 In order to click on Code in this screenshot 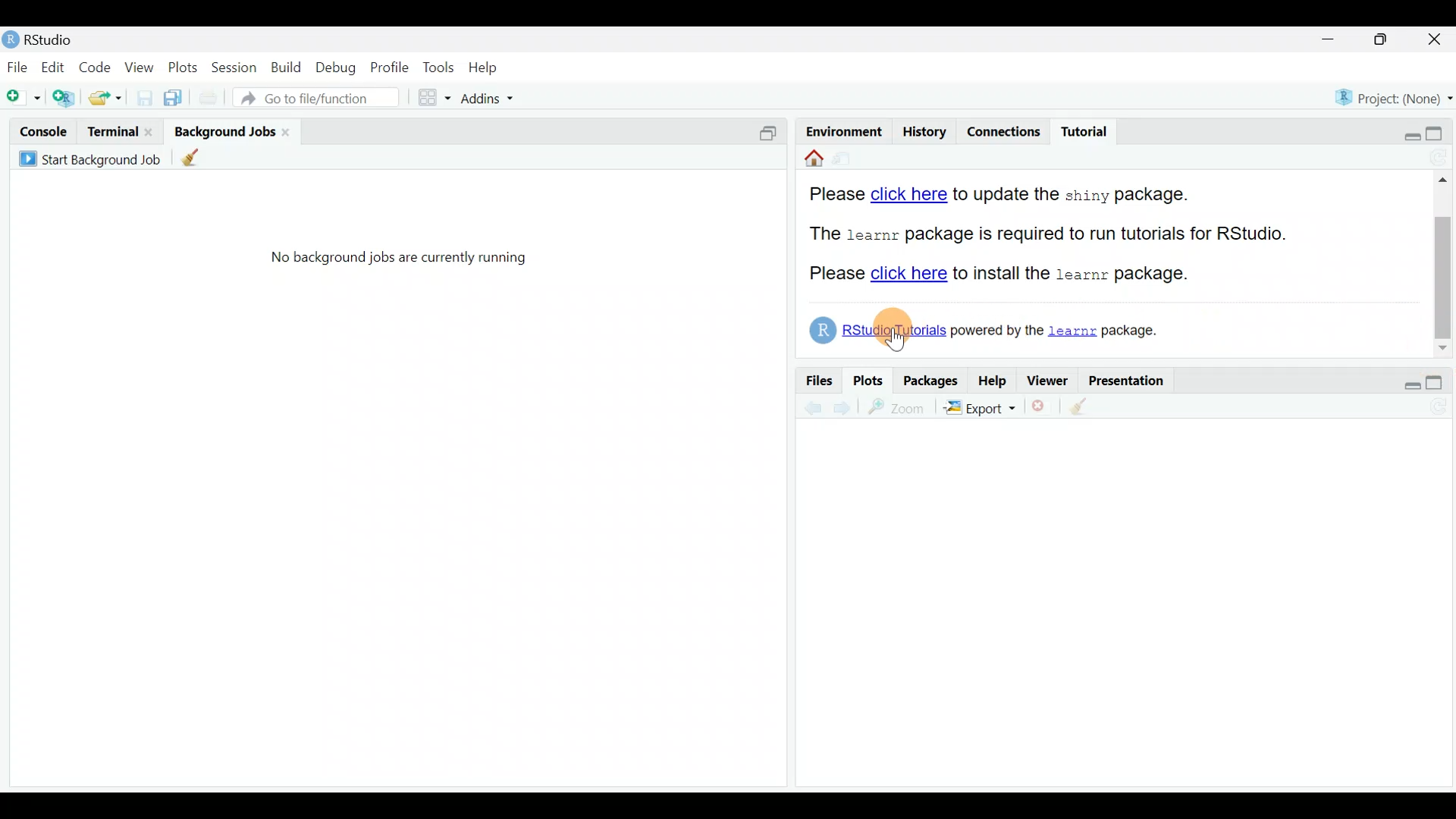, I will do `click(94, 69)`.